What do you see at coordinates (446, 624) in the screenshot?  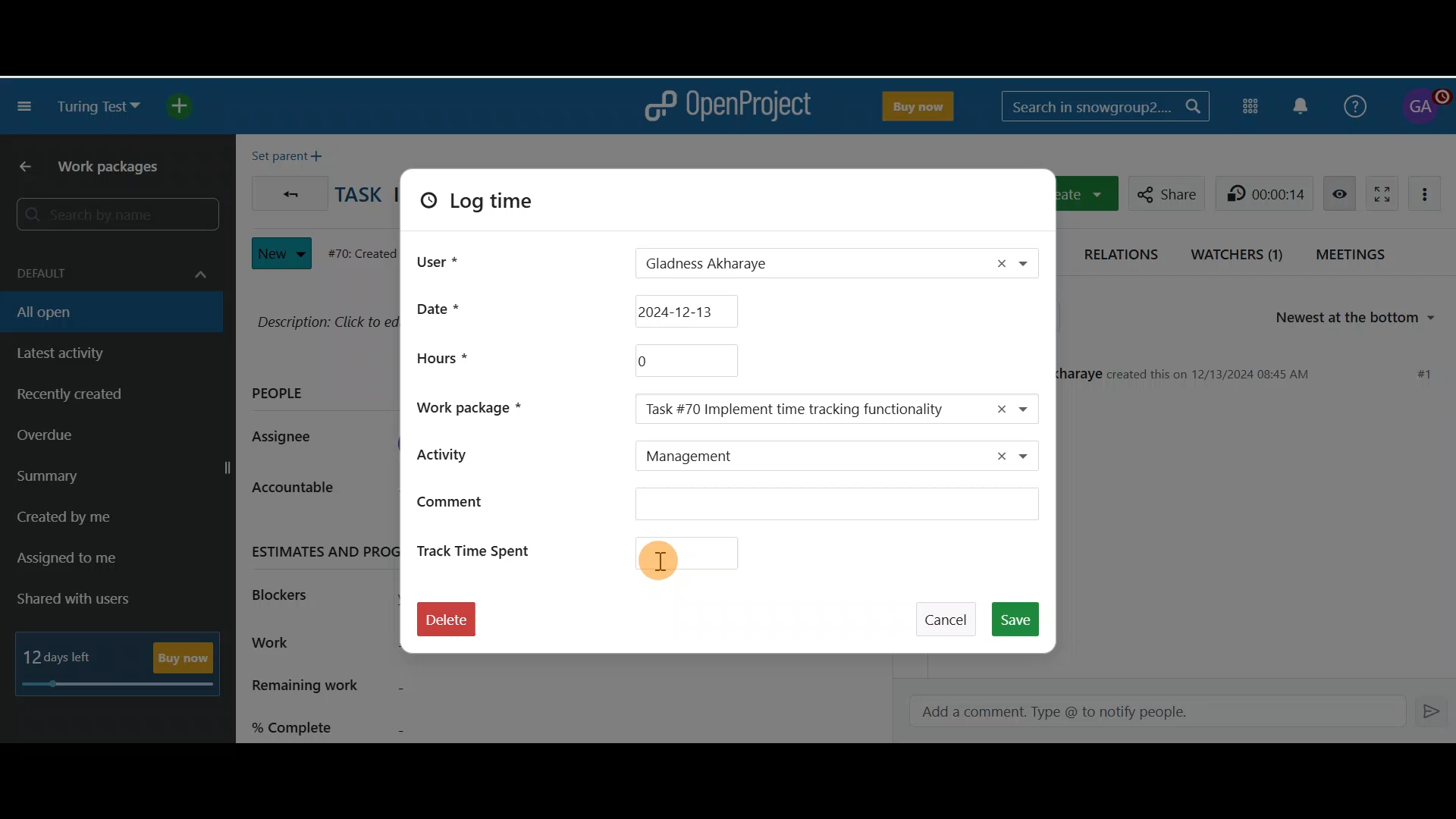 I see `Delete` at bounding box center [446, 624].